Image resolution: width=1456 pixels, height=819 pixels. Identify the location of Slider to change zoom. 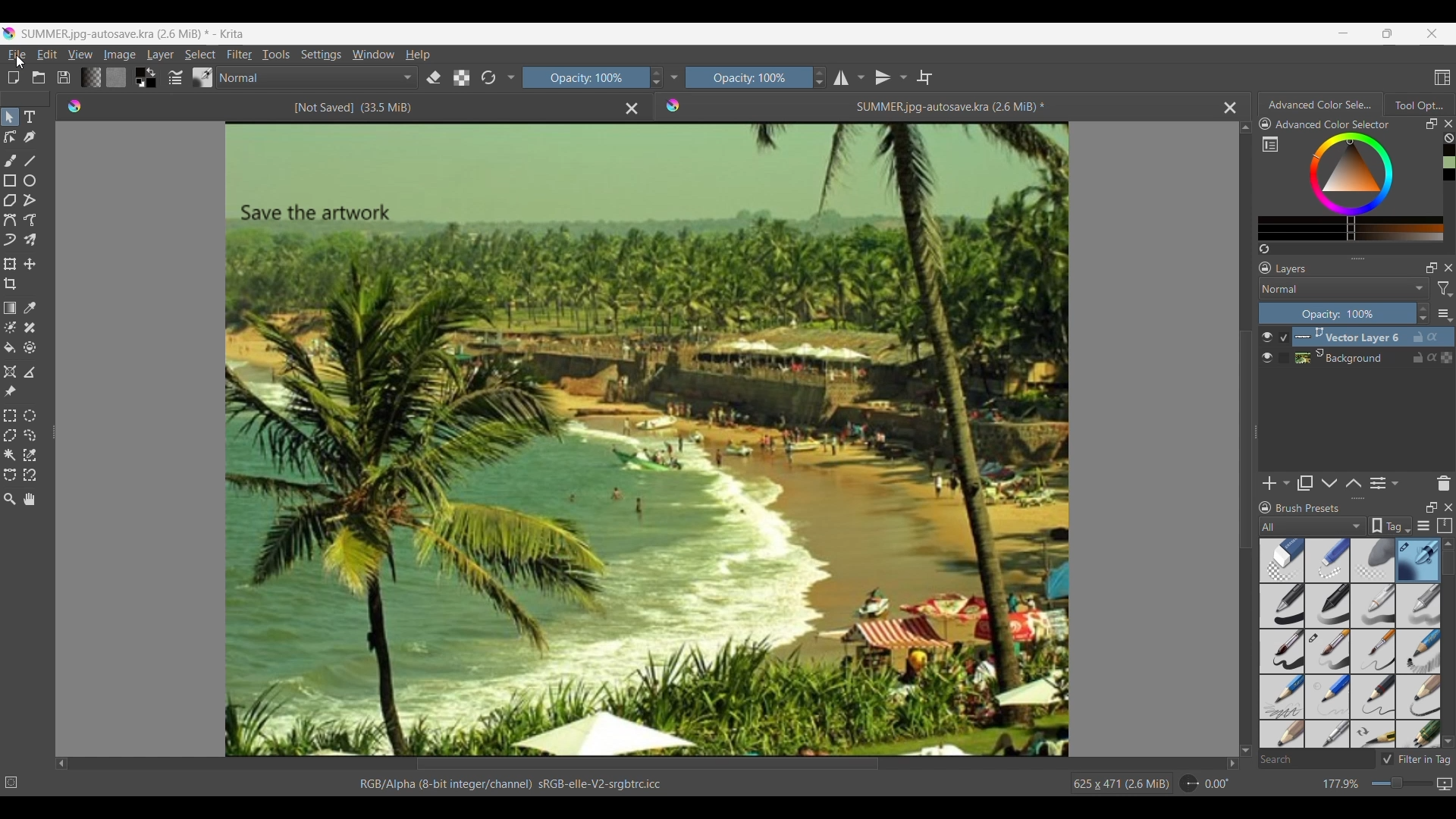
(1401, 783).